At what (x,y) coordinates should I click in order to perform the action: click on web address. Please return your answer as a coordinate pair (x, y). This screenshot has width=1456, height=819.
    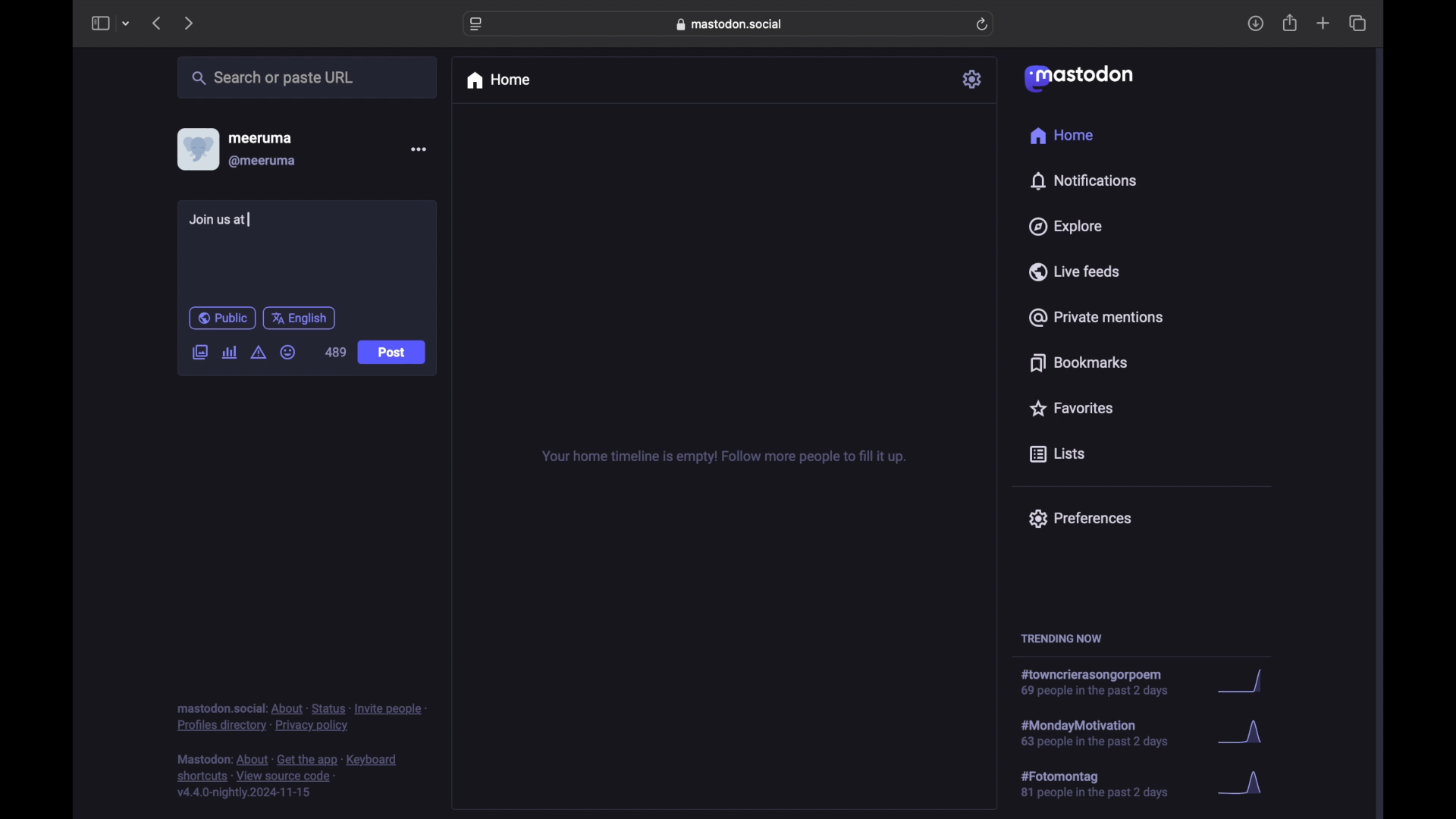
    Looking at the image, I should click on (733, 24).